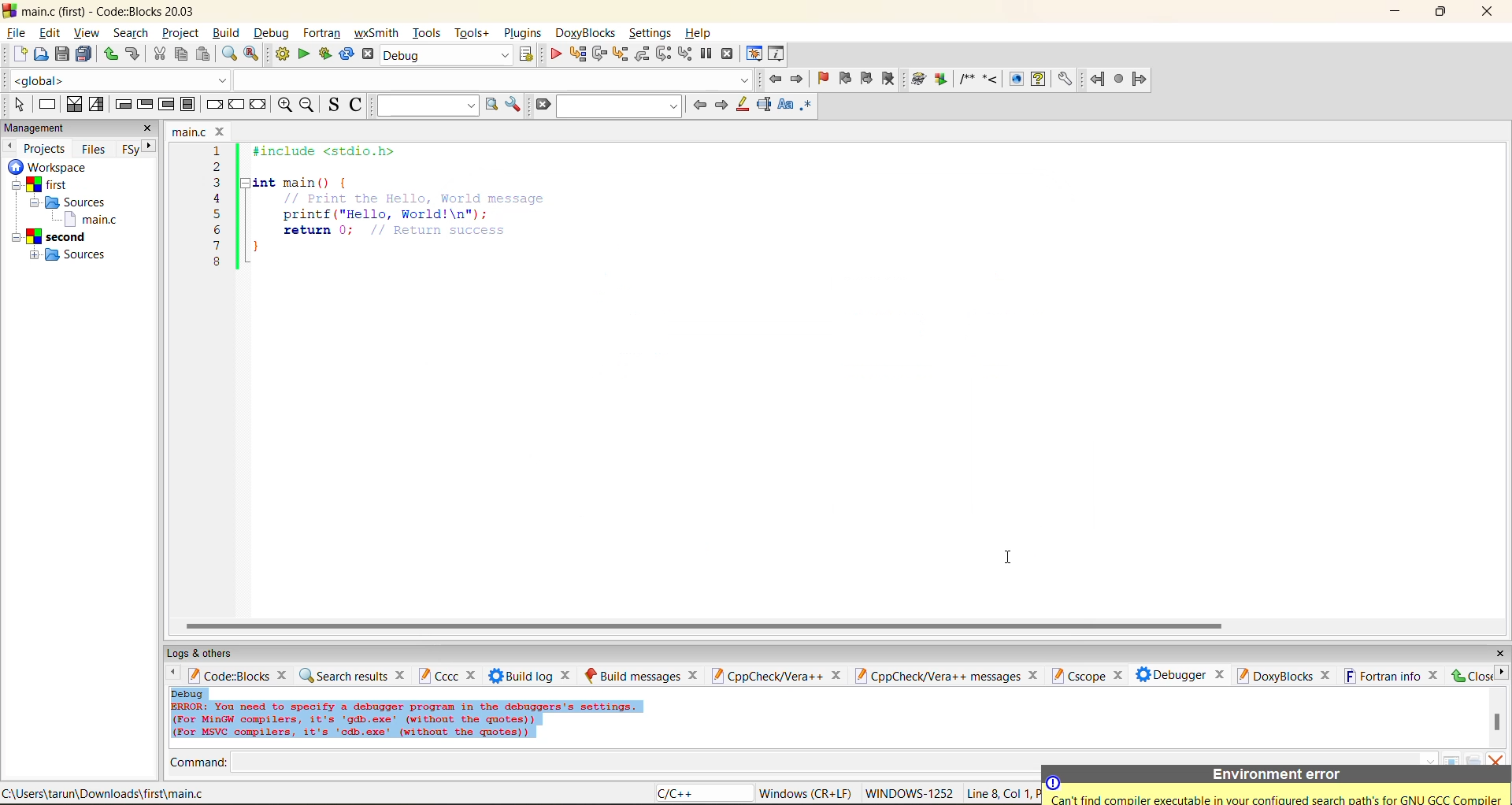 This screenshot has height=805, width=1512. Describe the element at coordinates (919, 80) in the screenshot. I see `build` at that location.